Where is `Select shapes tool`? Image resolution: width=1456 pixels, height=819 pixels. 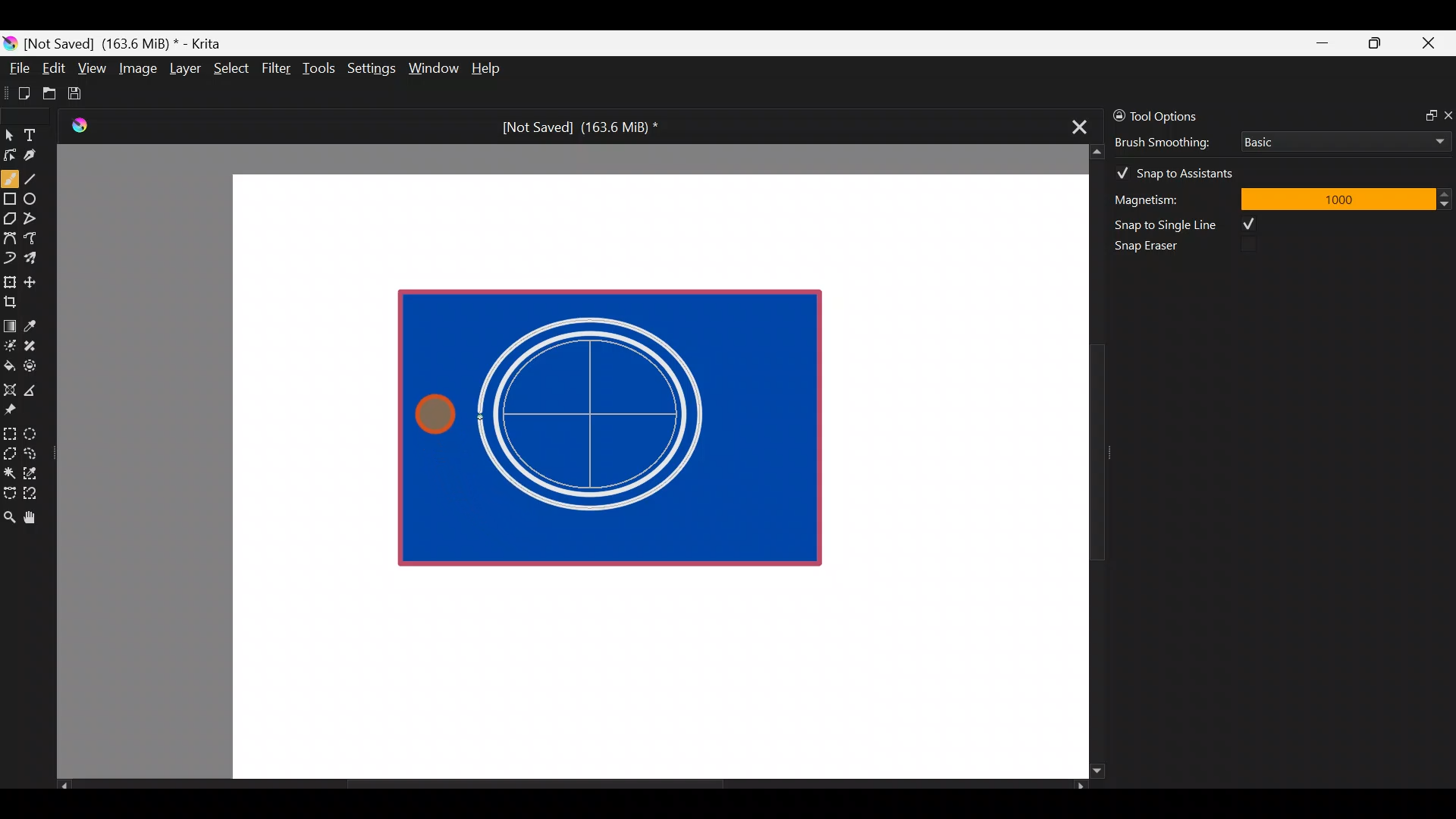
Select shapes tool is located at coordinates (9, 136).